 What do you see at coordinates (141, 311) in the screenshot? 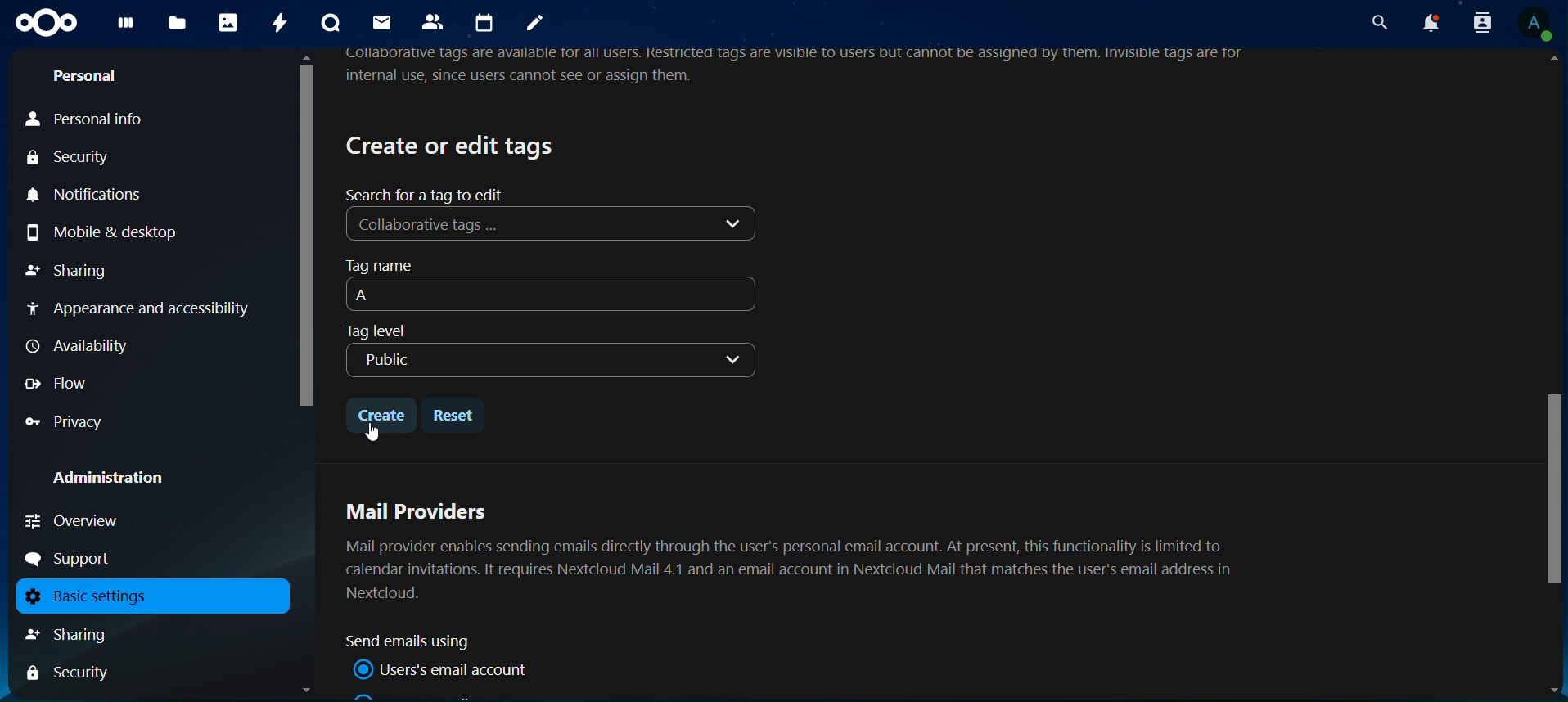
I see `appearance and accessibility` at bounding box center [141, 311].